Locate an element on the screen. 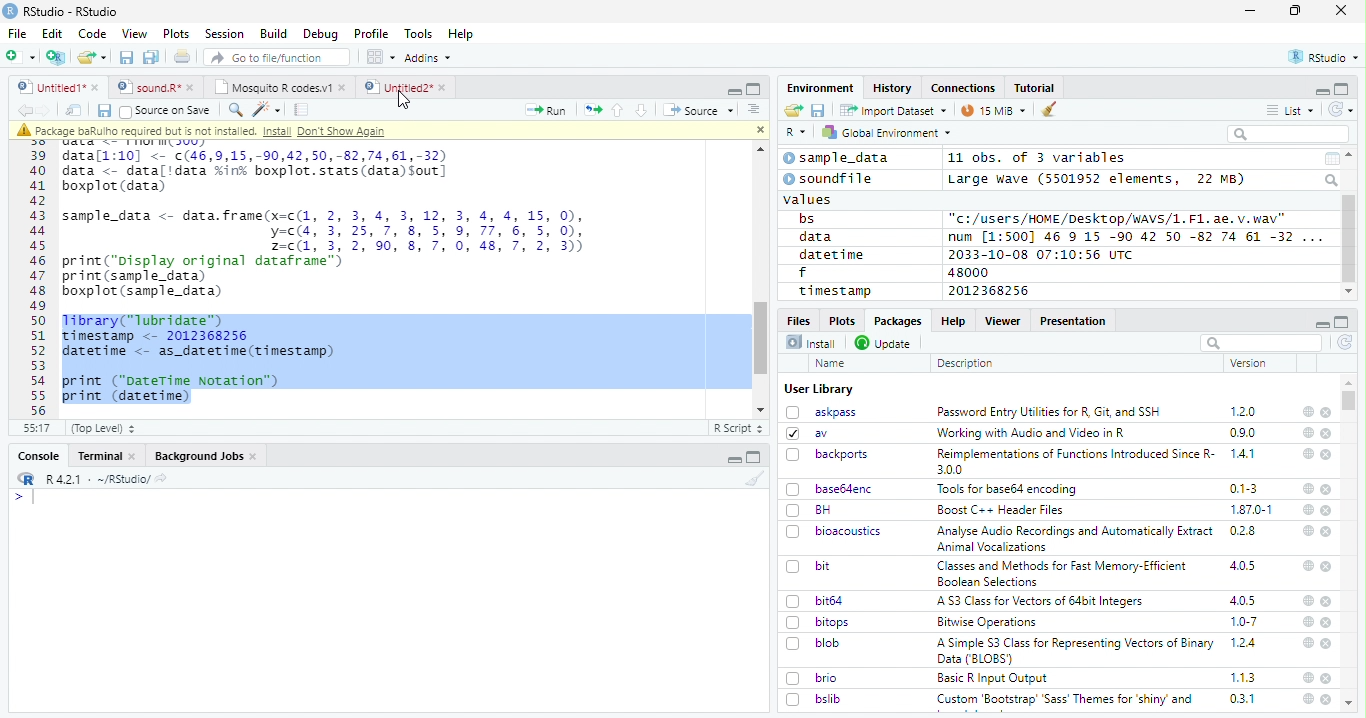 The width and height of the screenshot is (1366, 718). bioacoustics is located at coordinates (834, 531).